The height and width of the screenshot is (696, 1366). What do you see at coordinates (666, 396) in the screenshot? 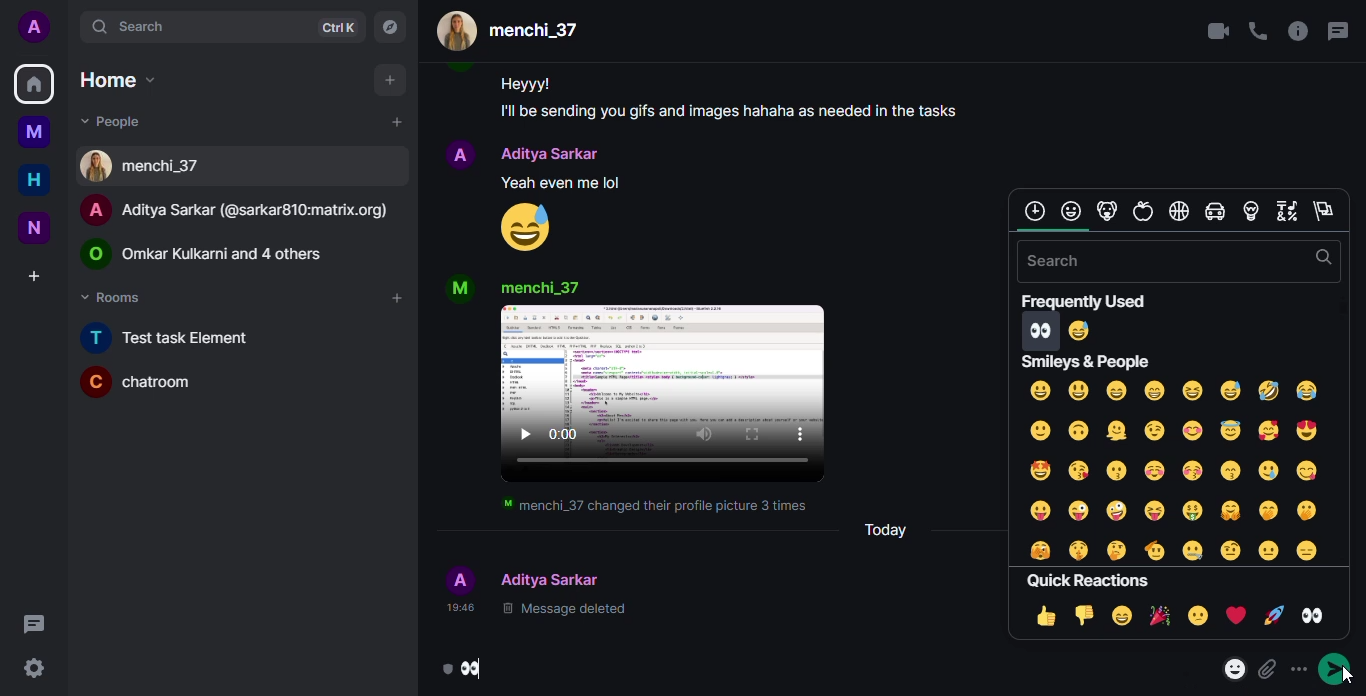
I see `video` at bounding box center [666, 396].